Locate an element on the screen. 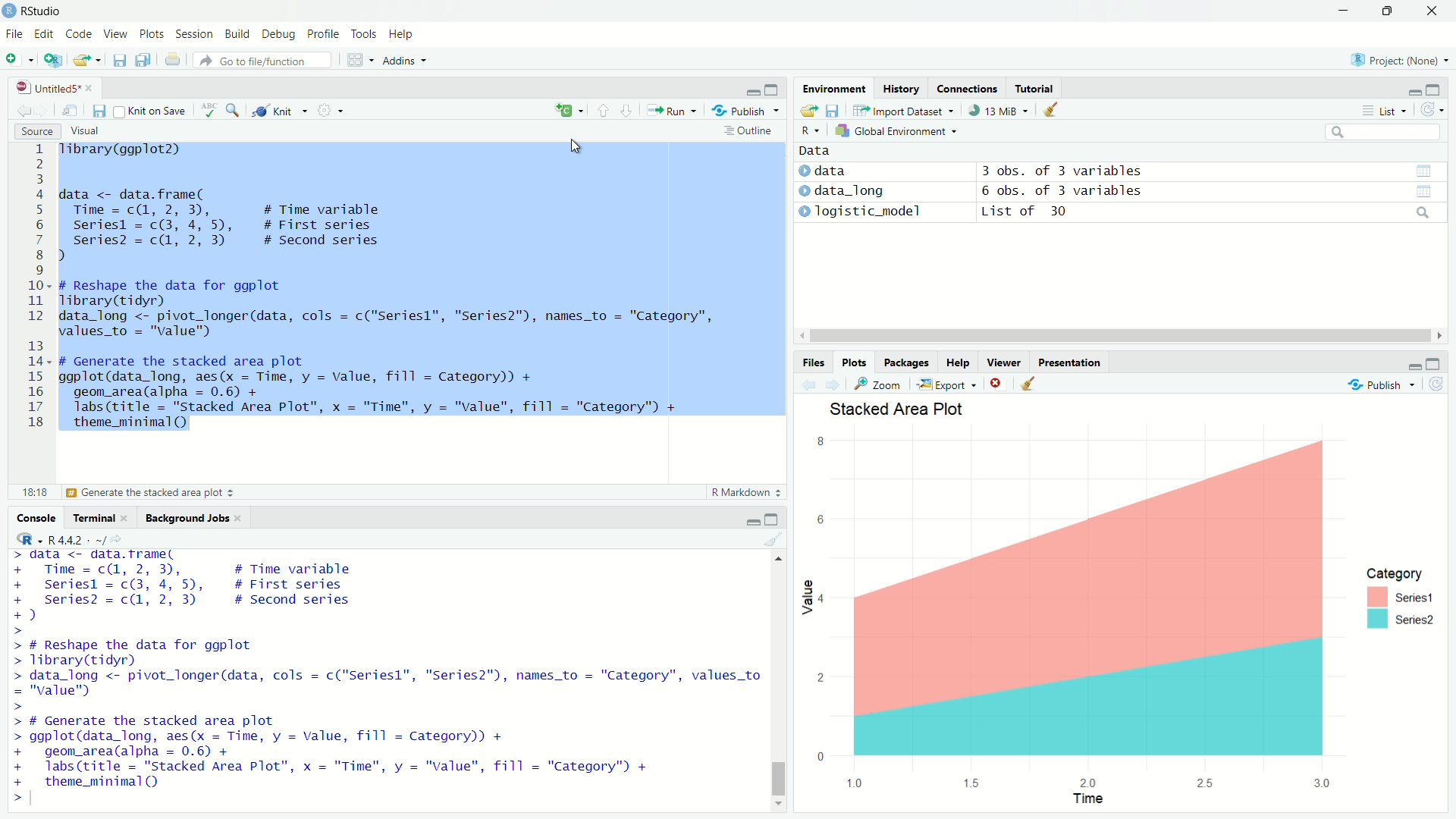 This screenshot has width=1456, height=819. Build is located at coordinates (235, 35).